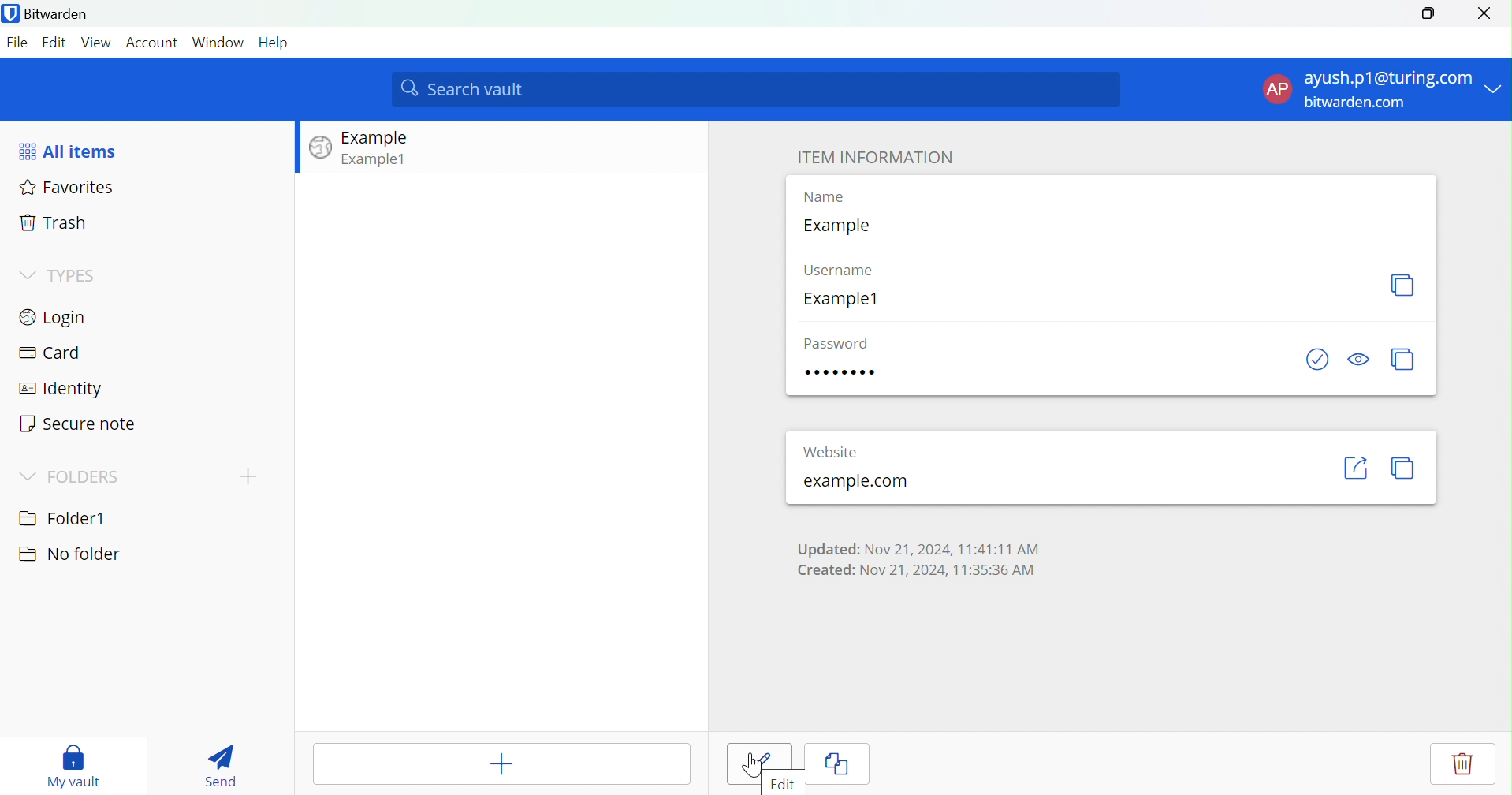  I want to click on Name, so click(829, 198).